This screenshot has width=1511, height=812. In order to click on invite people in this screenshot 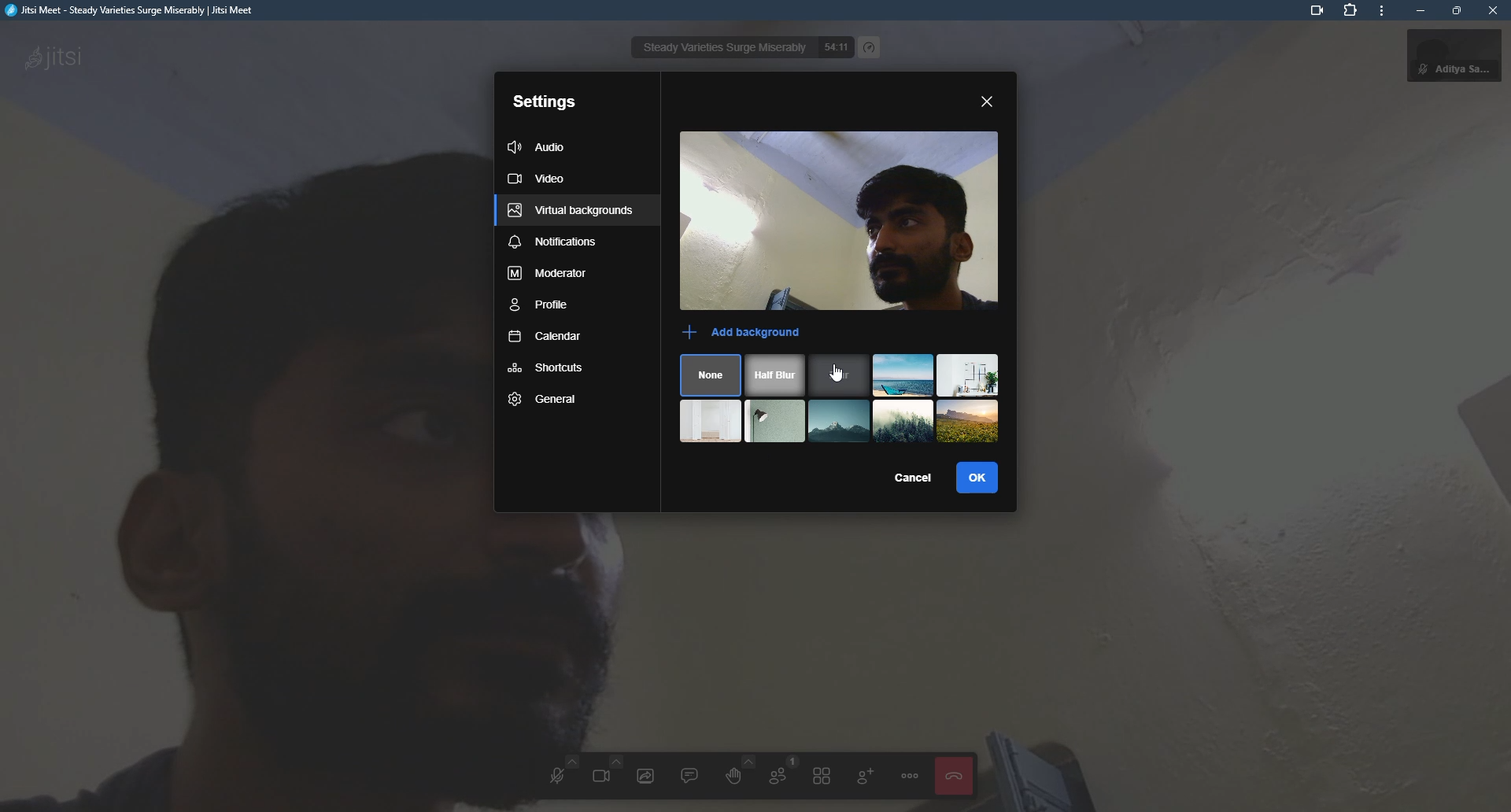, I will do `click(865, 774)`.